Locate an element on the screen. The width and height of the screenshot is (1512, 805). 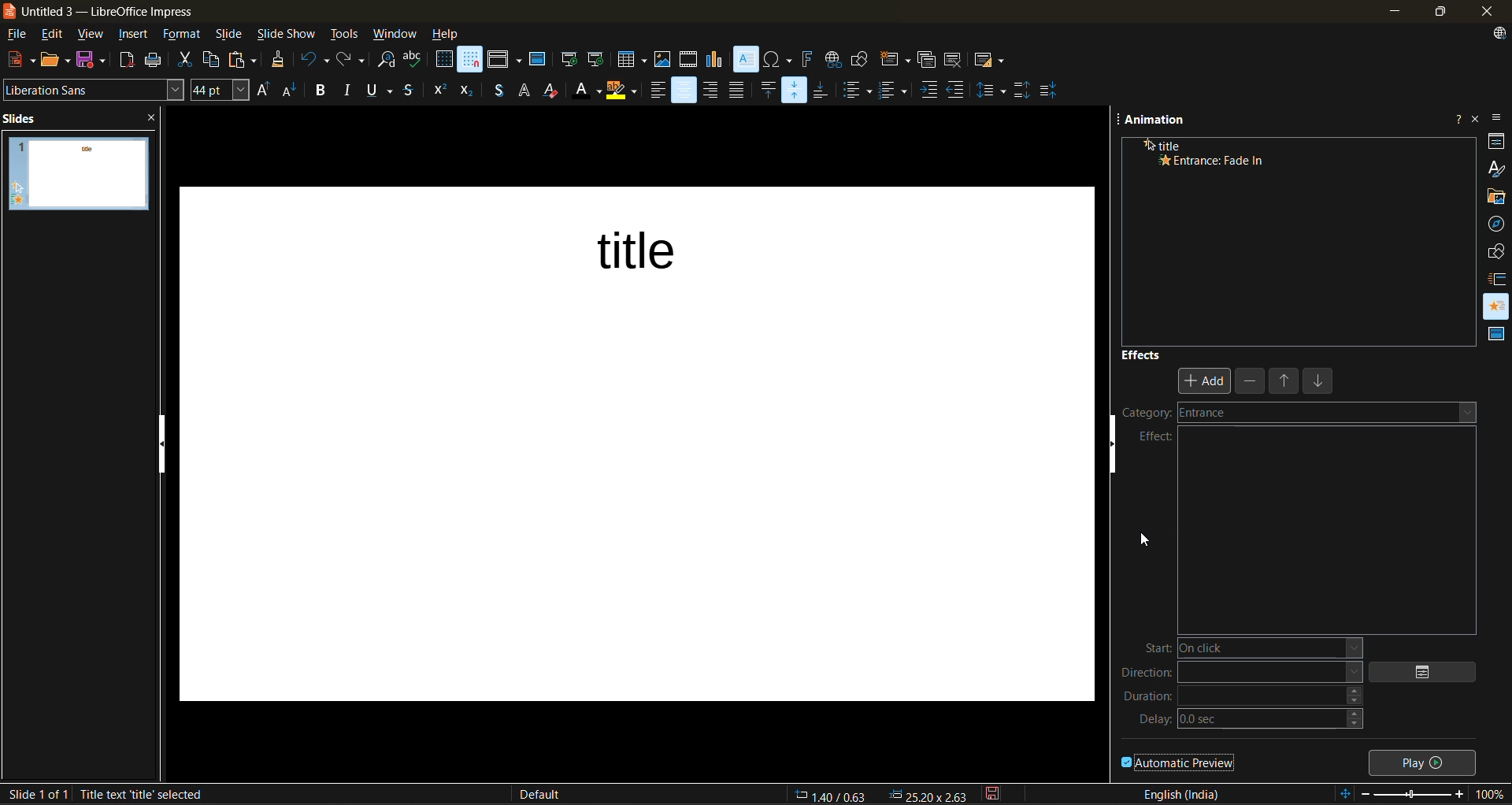
minimize is located at coordinates (1392, 11).